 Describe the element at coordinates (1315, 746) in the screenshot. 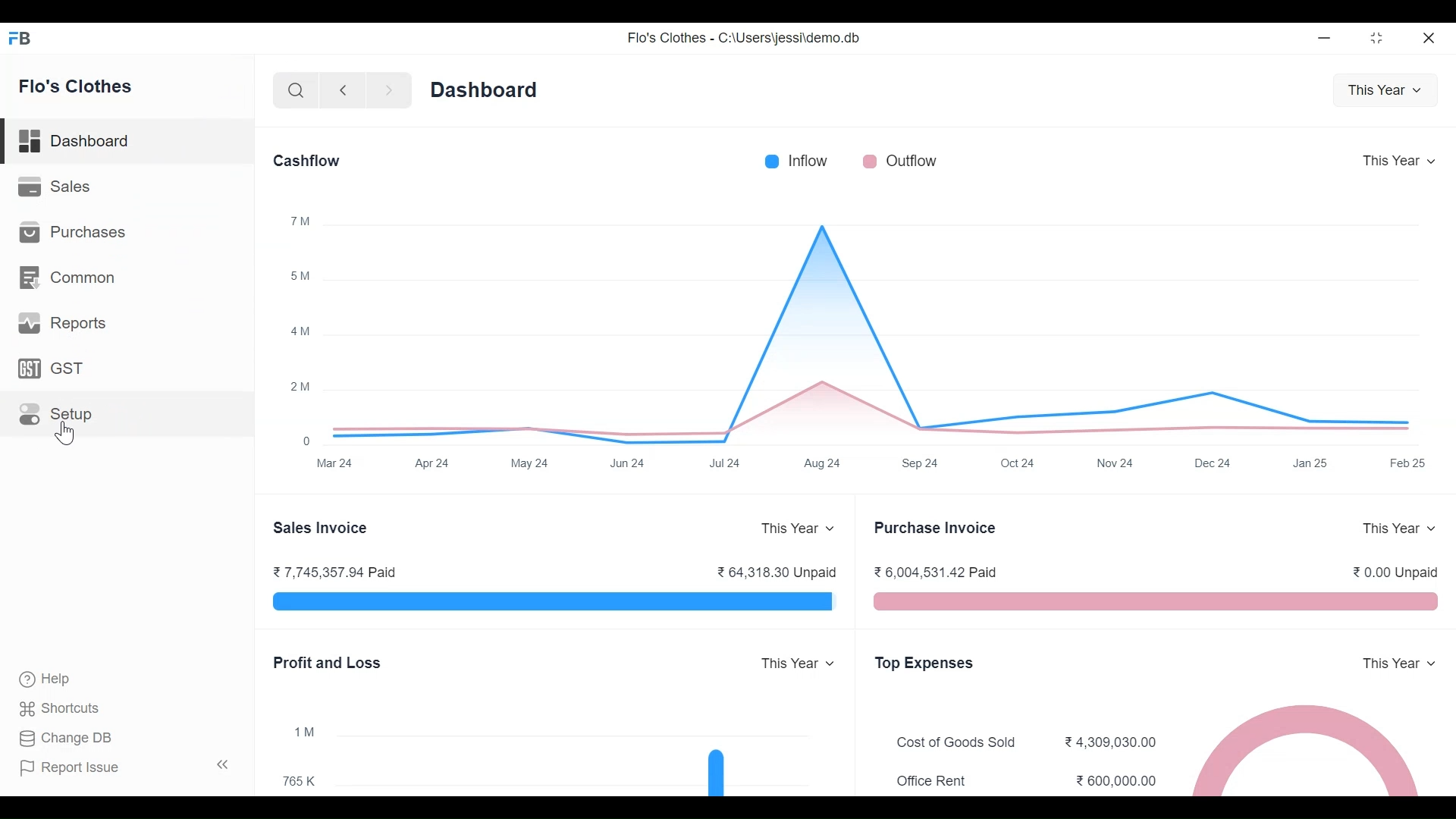

I see `The chart shows Flo's Clothes top five expenses sorted from the highest expenses to lowest expenses by category` at that location.